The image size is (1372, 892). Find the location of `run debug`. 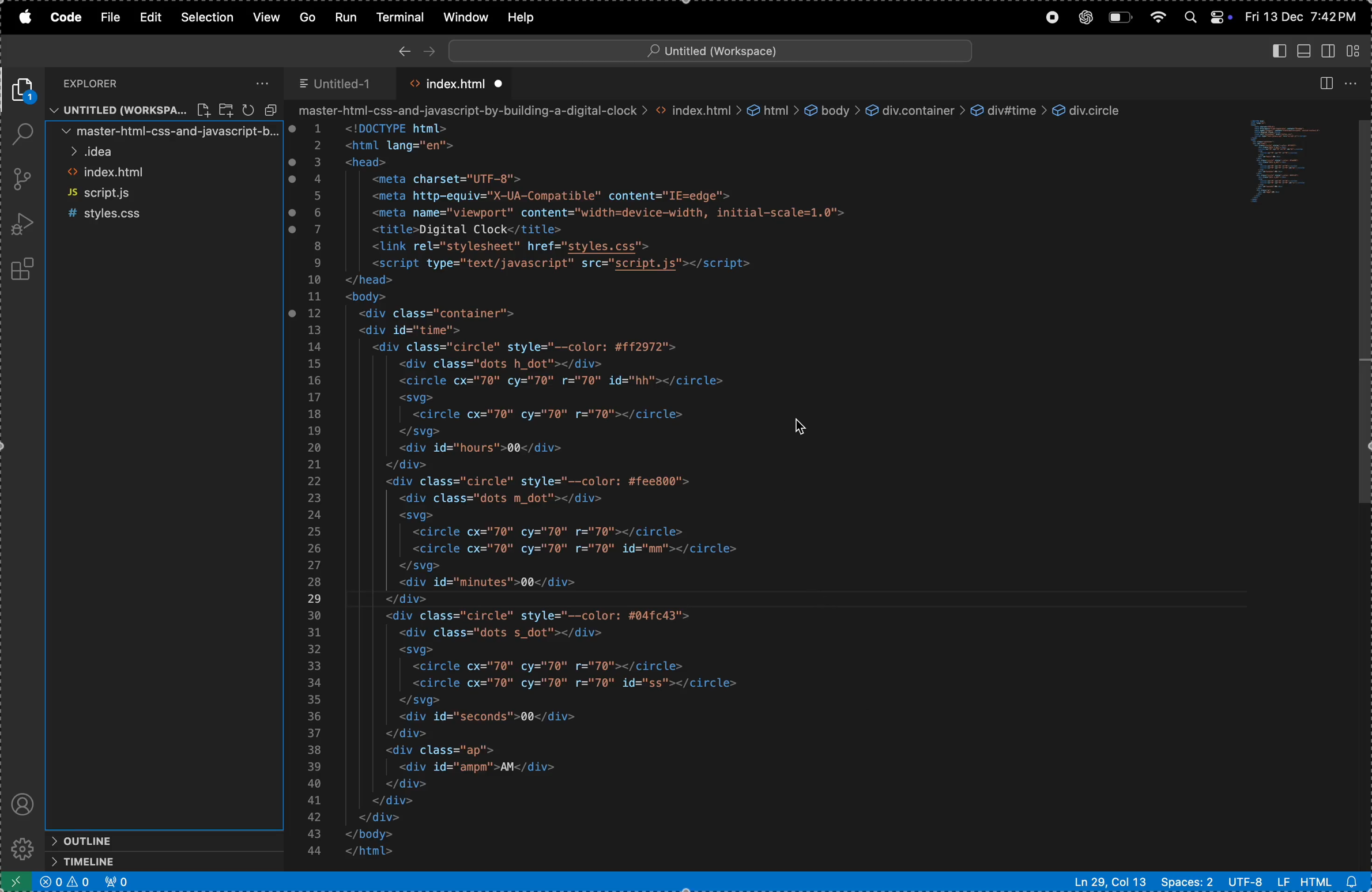

run debug is located at coordinates (21, 224).